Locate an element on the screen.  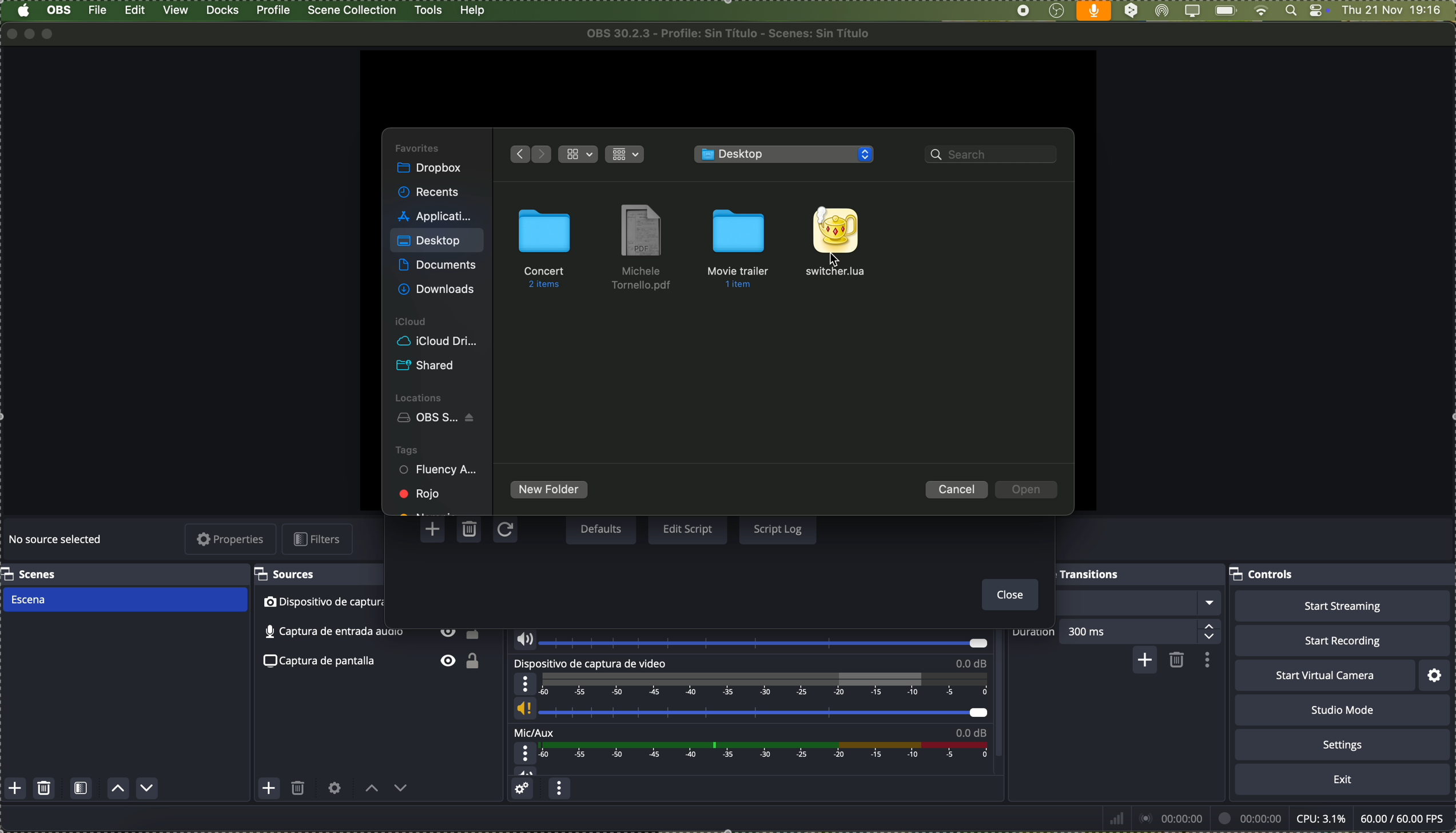
navigate arrows is located at coordinates (528, 153).